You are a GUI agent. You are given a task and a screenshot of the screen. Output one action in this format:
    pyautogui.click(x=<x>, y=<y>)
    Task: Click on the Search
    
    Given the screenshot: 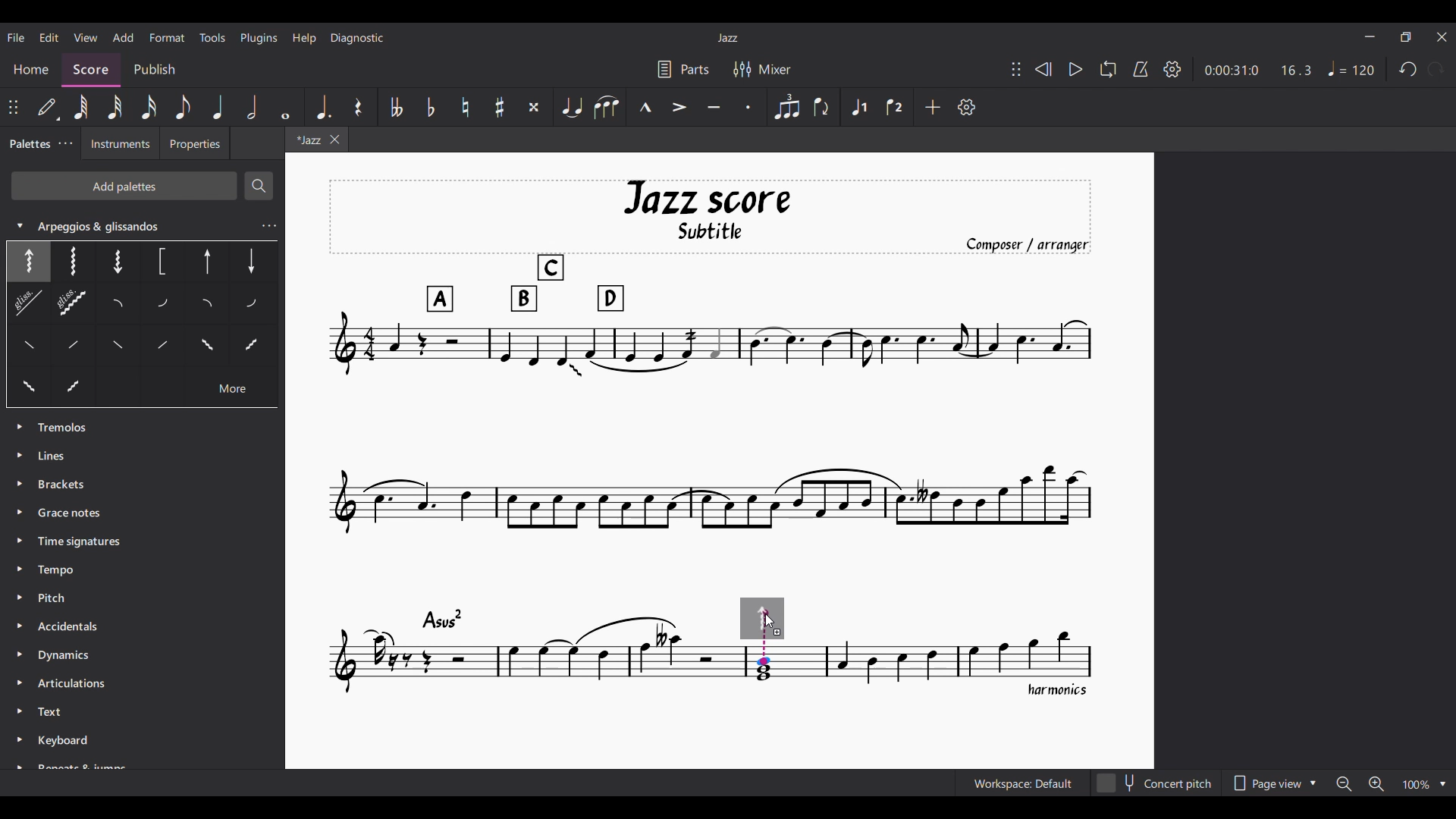 What is the action you would take?
    pyautogui.click(x=259, y=186)
    